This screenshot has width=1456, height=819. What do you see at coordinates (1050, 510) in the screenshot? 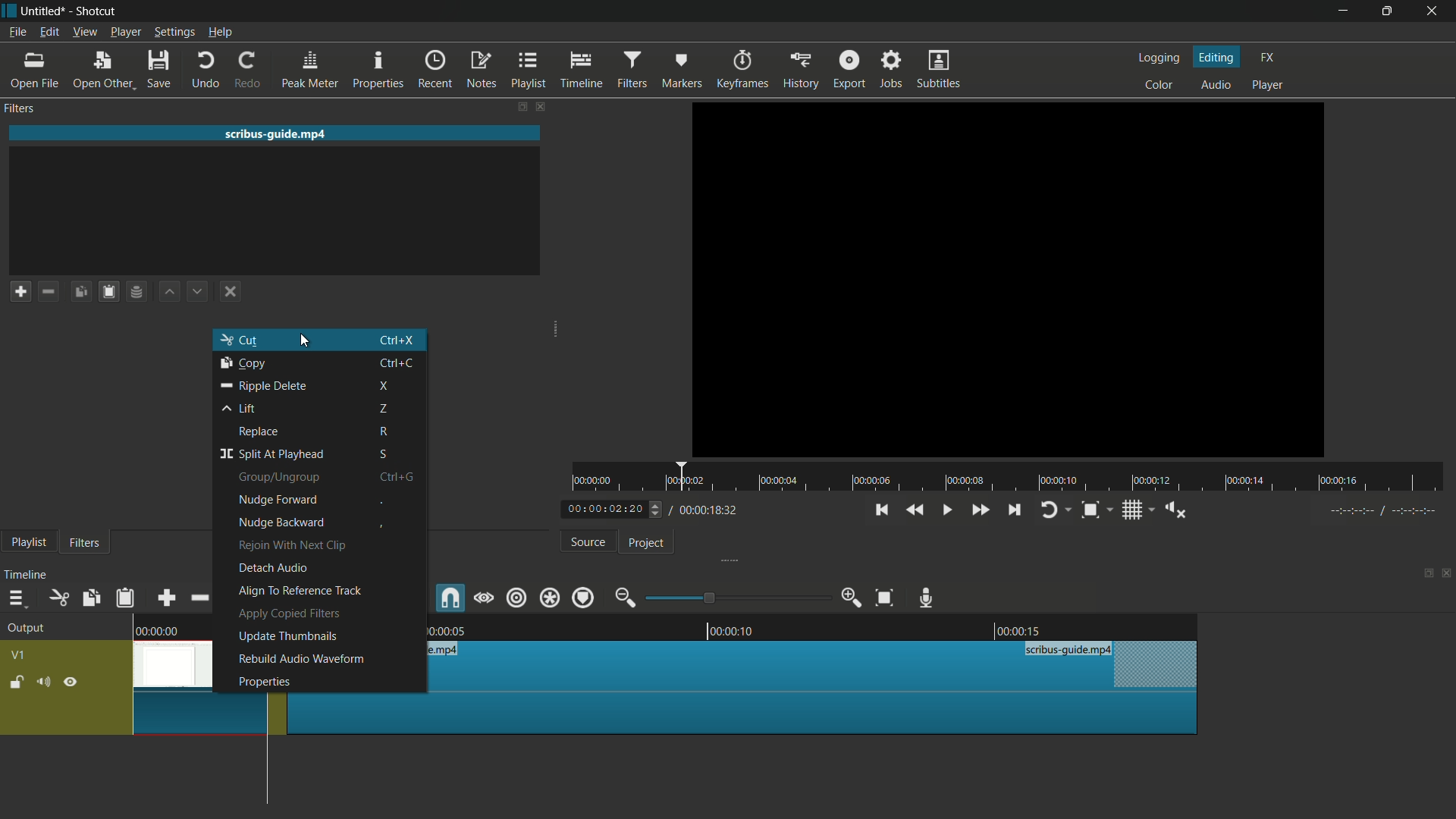
I see `toggle player looping` at bounding box center [1050, 510].